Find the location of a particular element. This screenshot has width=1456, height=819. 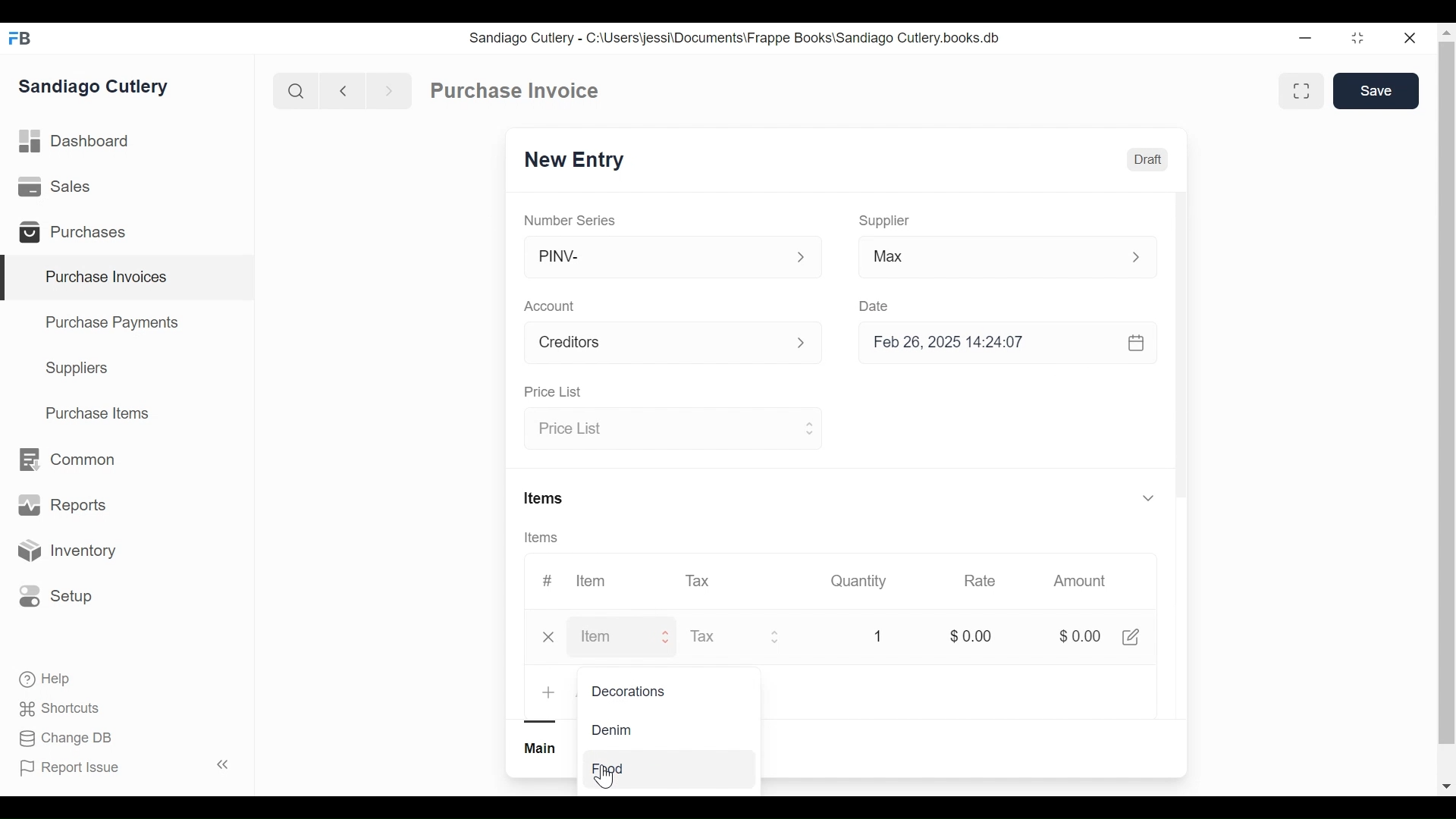

Date is located at coordinates (880, 306).